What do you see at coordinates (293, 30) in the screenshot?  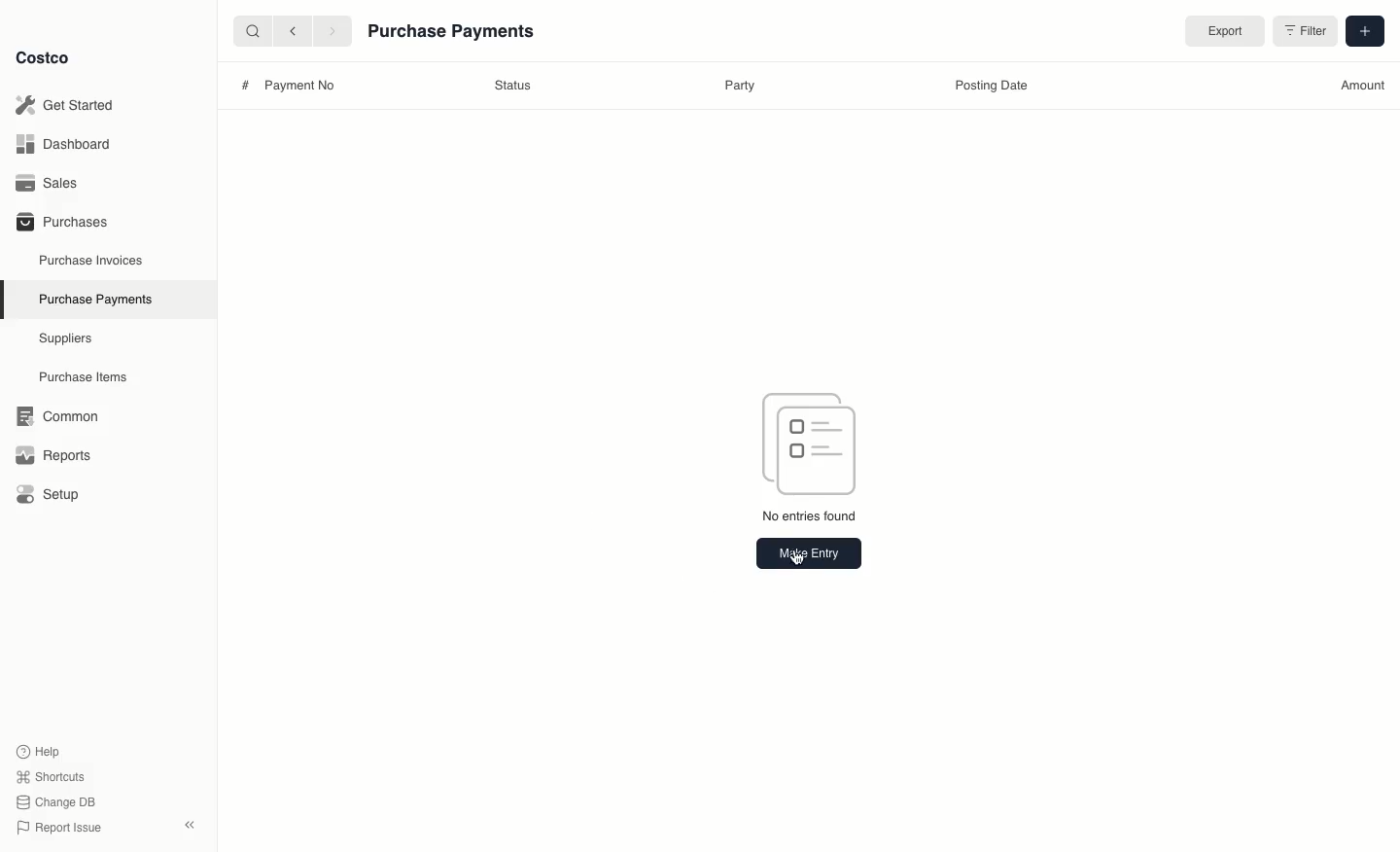 I see `Back` at bounding box center [293, 30].